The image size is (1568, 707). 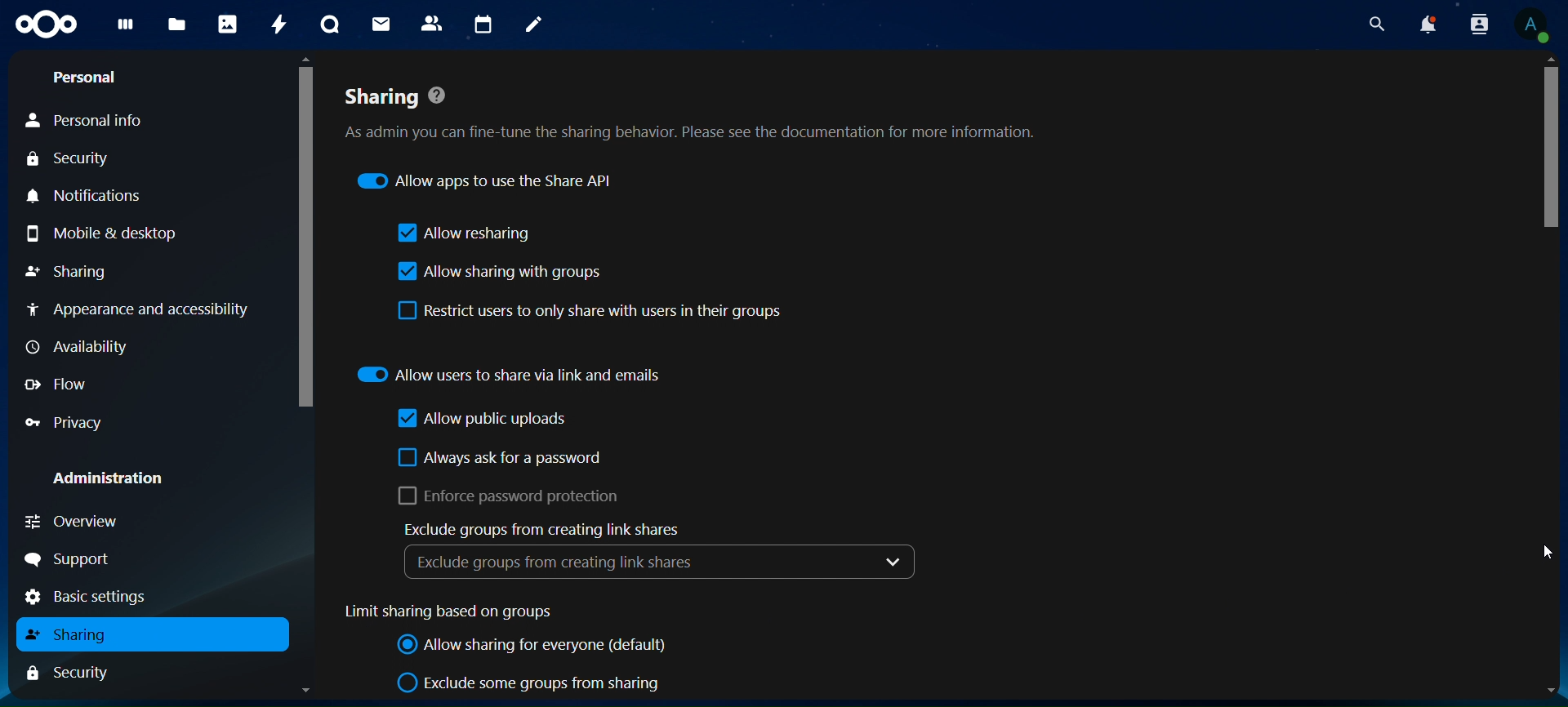 What do you see at coordinates (431, 23) in the screenshot?
I see `contacts` at bounding box center [431, 23].